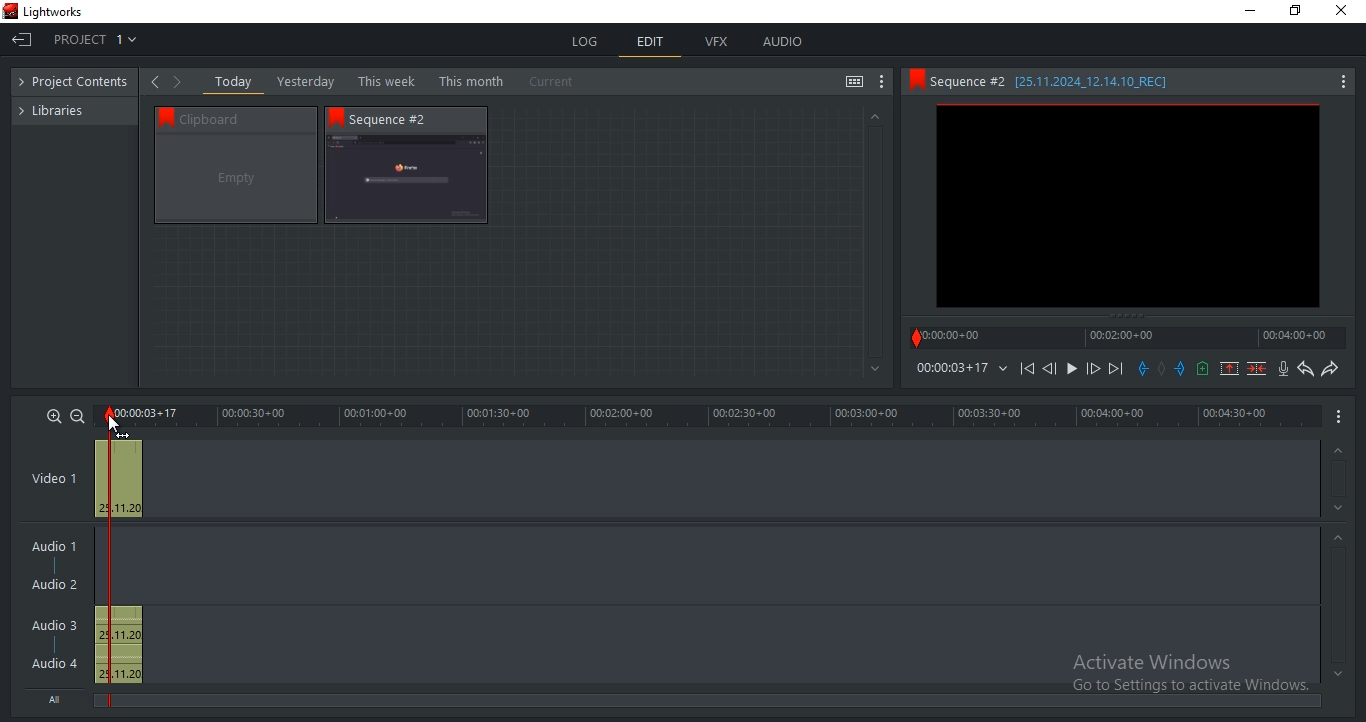 This screenshot has height=722, width=1366. What do you see at coordinates (162, 116) in the screenshot?
I see `Bookmark icon` at bounding box center [162, 116].